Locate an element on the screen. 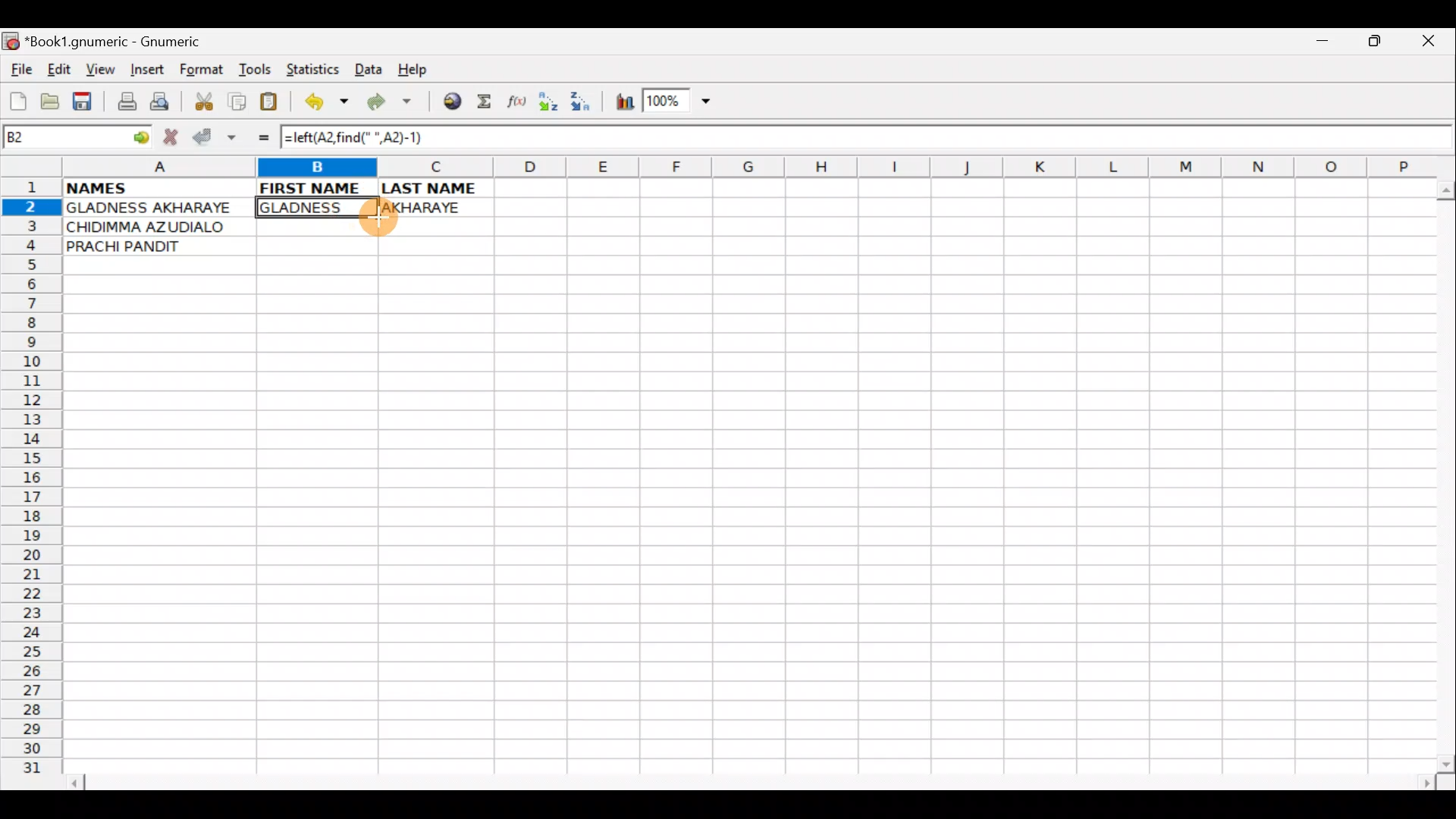 The width and height of the screenshot is (1456, 819). FIRST NAME is located at coordinates (312, 187).